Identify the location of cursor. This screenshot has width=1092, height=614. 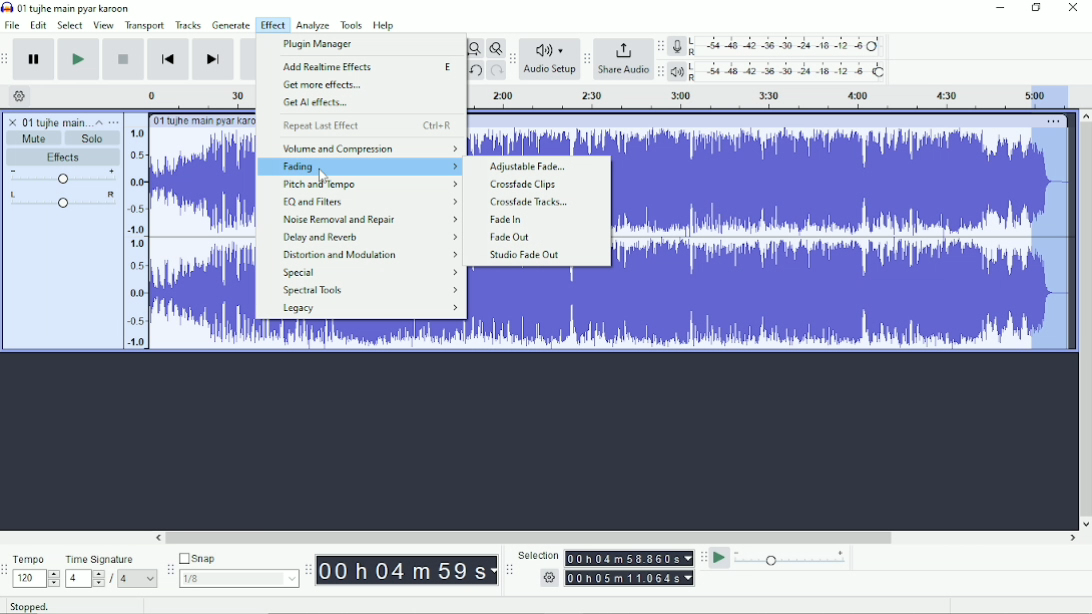
(323, 174).